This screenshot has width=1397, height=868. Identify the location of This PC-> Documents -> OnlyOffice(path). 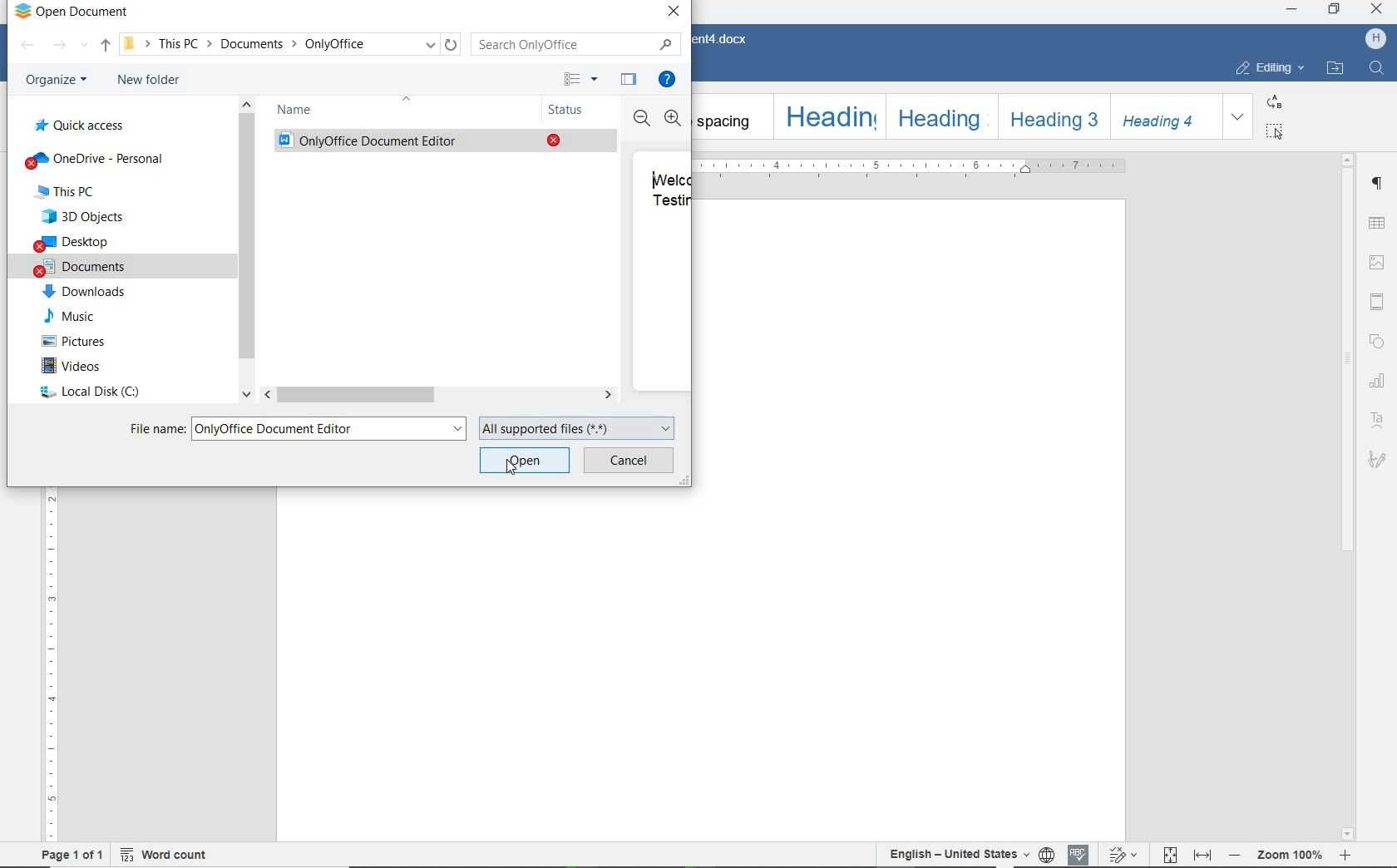
(279, 43).